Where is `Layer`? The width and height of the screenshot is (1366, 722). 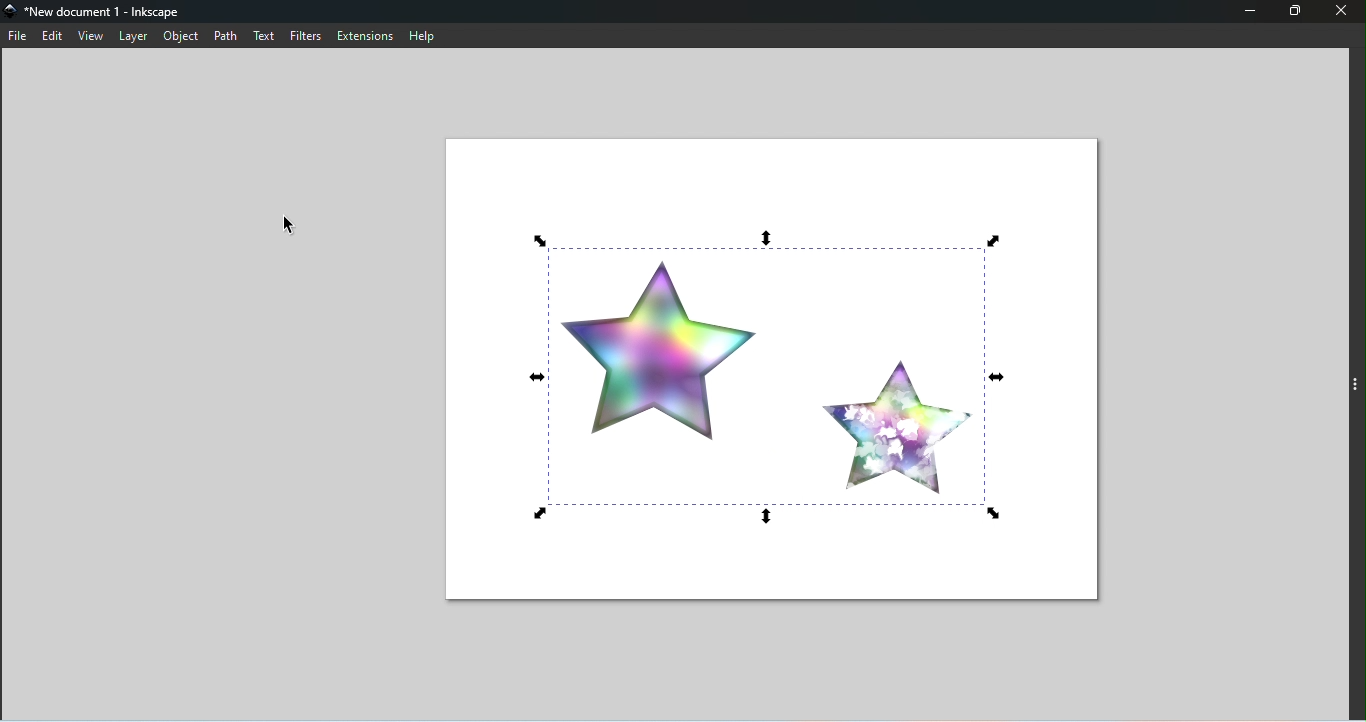 Layer is located at coordinates (134, 37).